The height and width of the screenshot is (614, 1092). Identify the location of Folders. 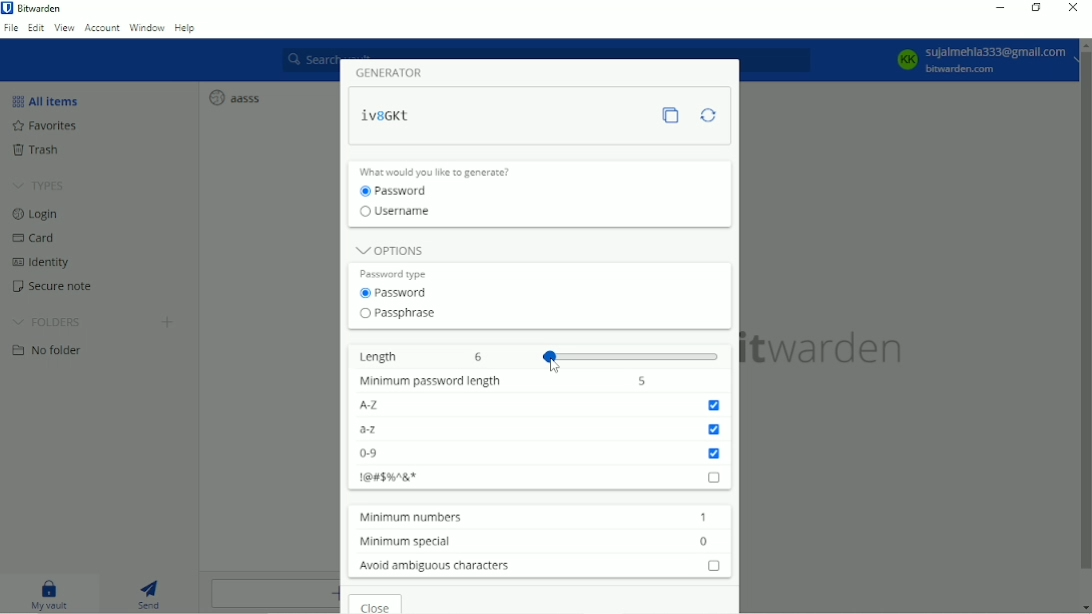
(50, 322).